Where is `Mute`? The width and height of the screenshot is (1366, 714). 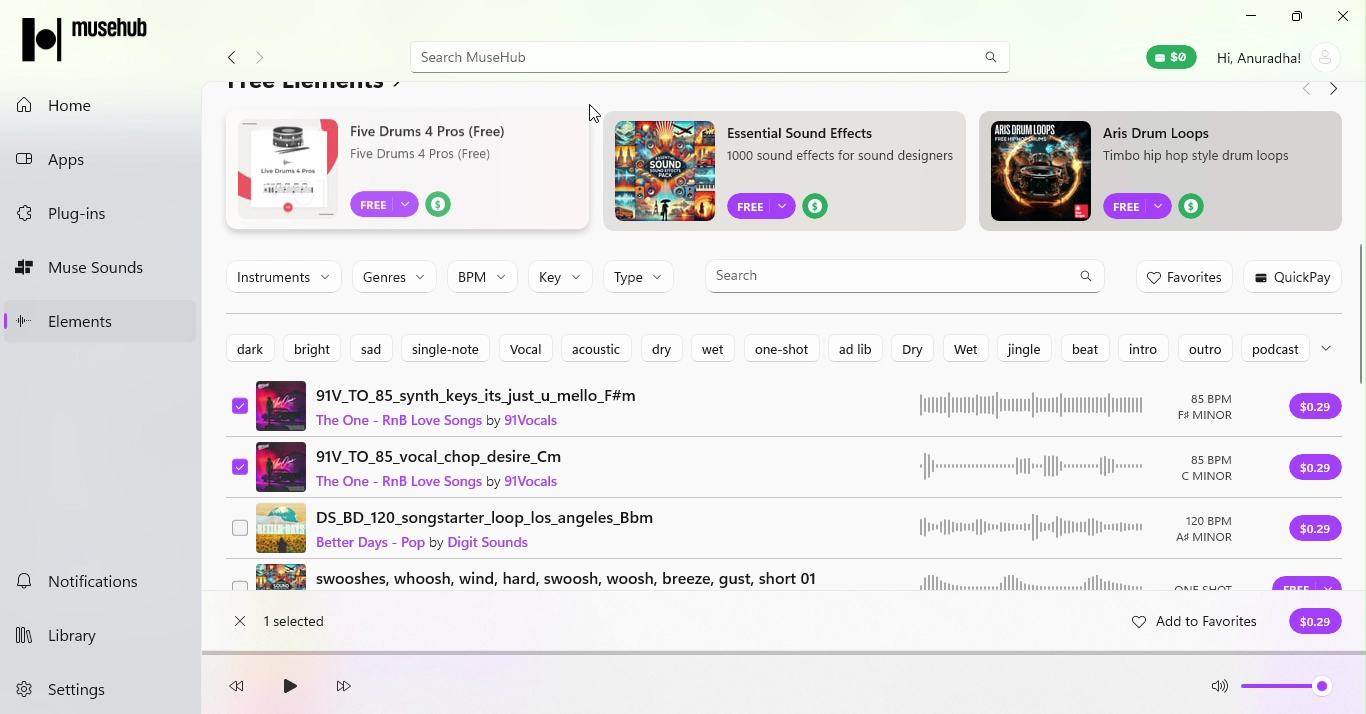 Mute is located at coordinates (1220, 690).